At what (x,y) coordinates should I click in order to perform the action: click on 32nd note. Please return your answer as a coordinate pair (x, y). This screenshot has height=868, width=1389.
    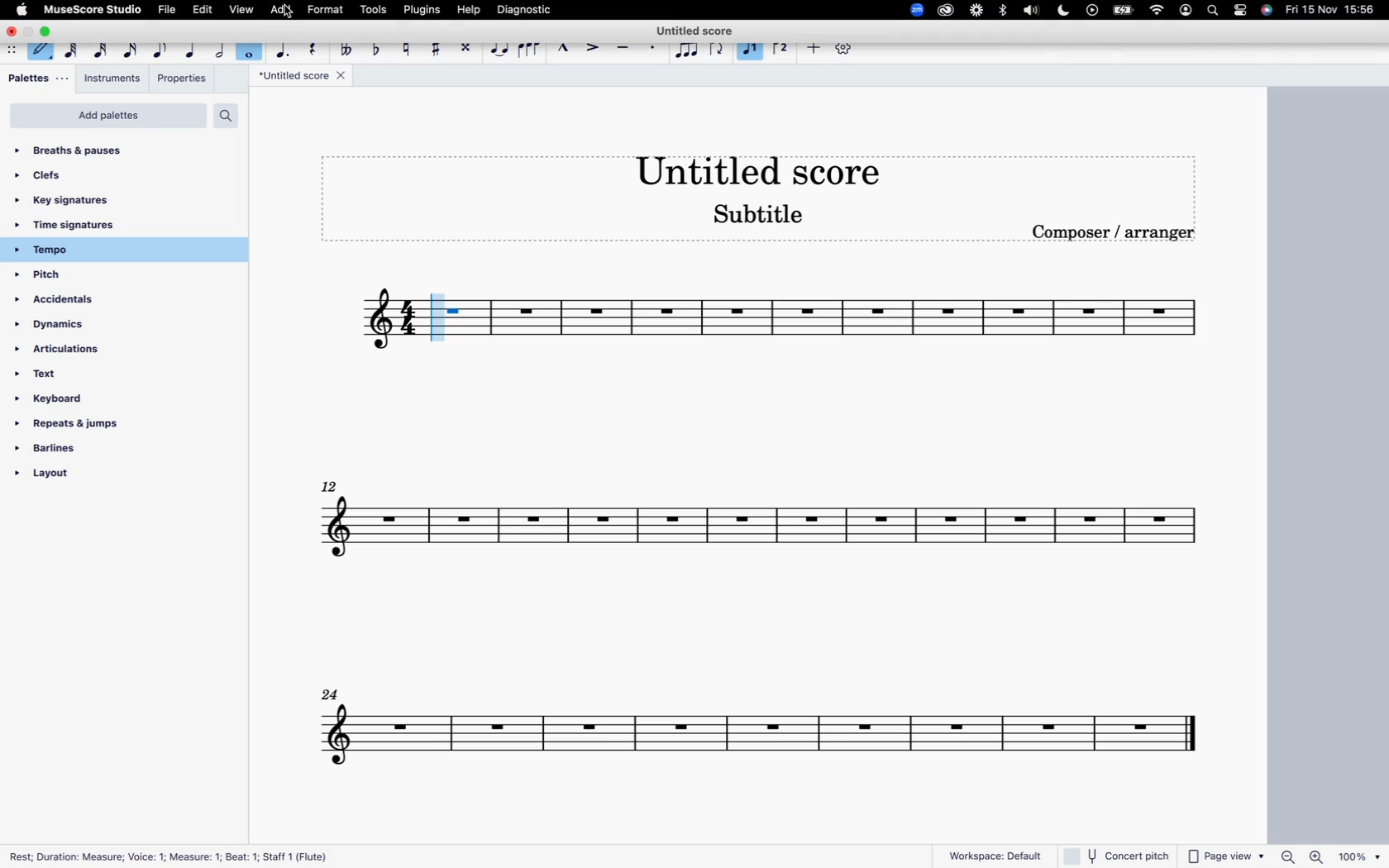
    Looking at the image, I should click on (98, 47).